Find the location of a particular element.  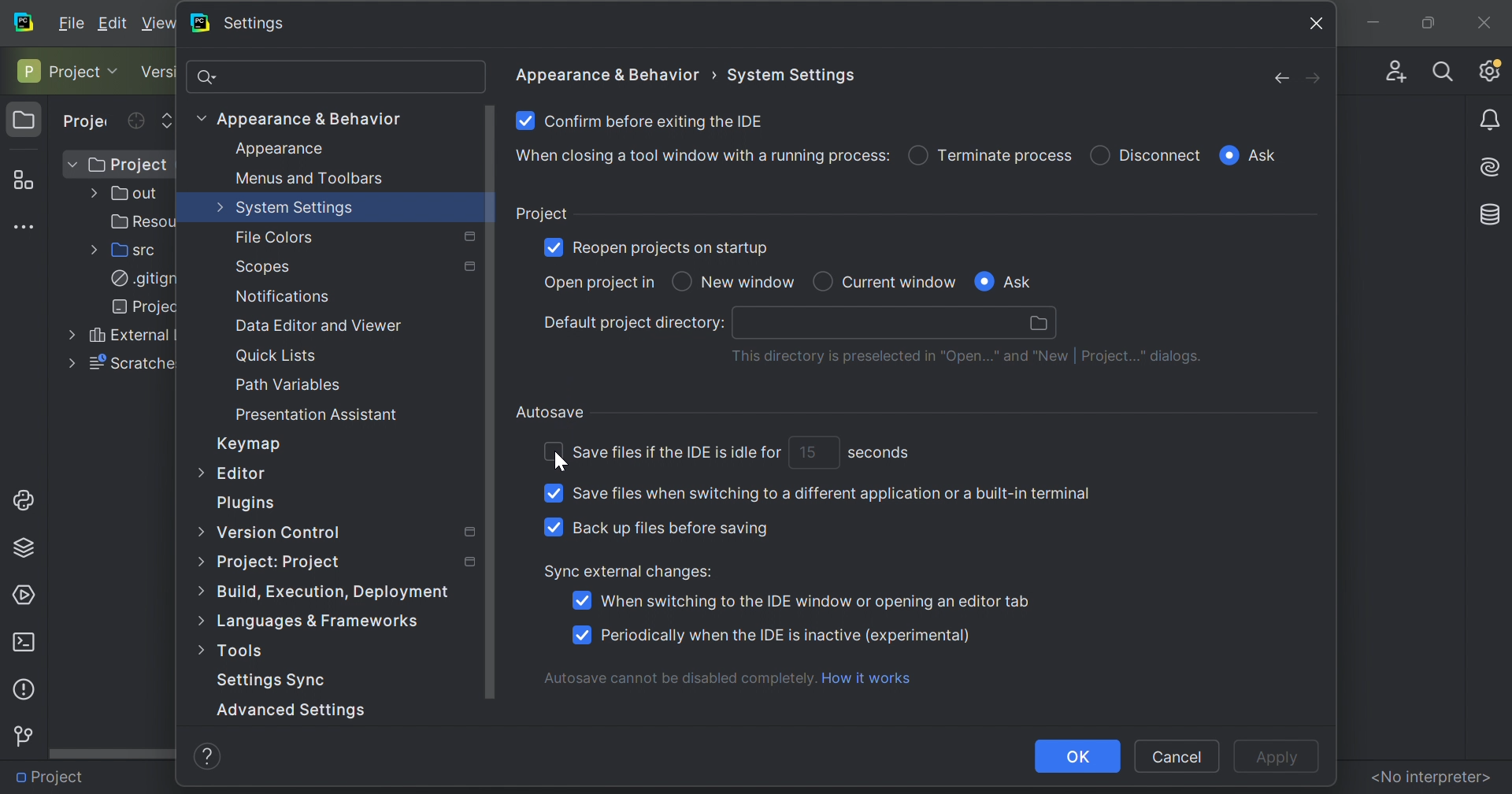

External Libraries is located at coordinates (128, 336).